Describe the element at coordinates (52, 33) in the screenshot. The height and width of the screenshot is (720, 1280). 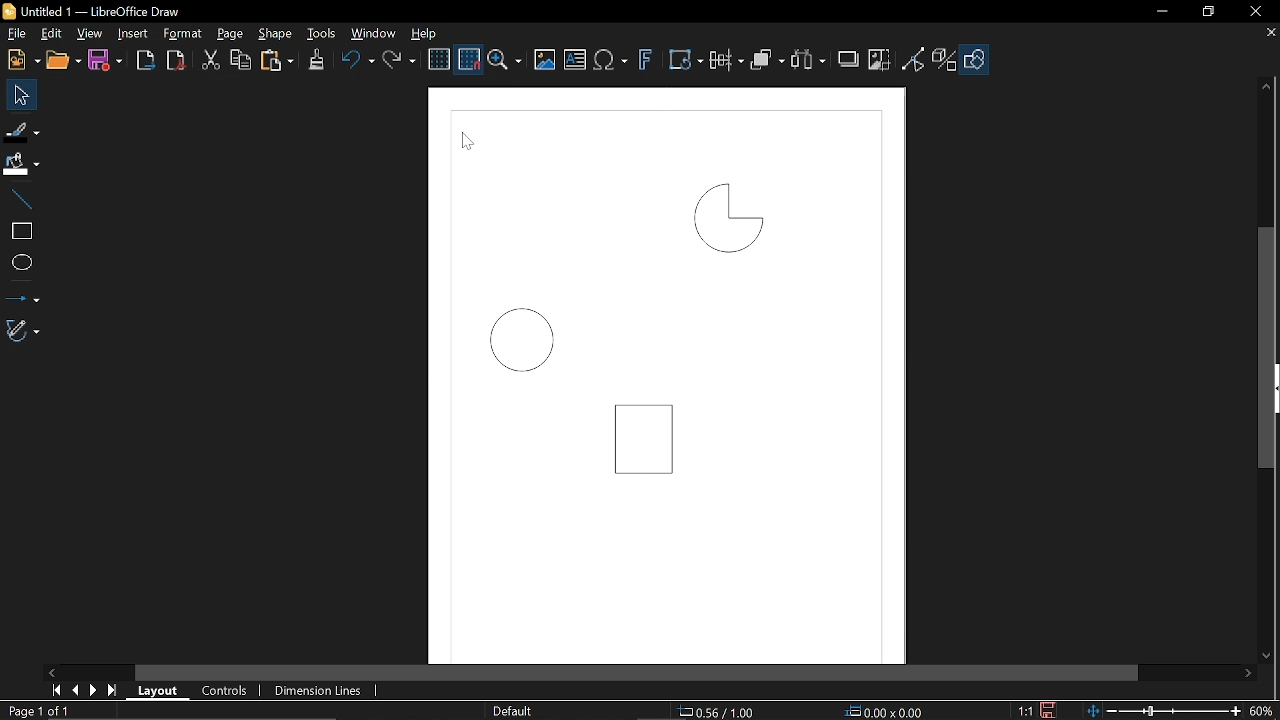
I see `Edit` at that location.